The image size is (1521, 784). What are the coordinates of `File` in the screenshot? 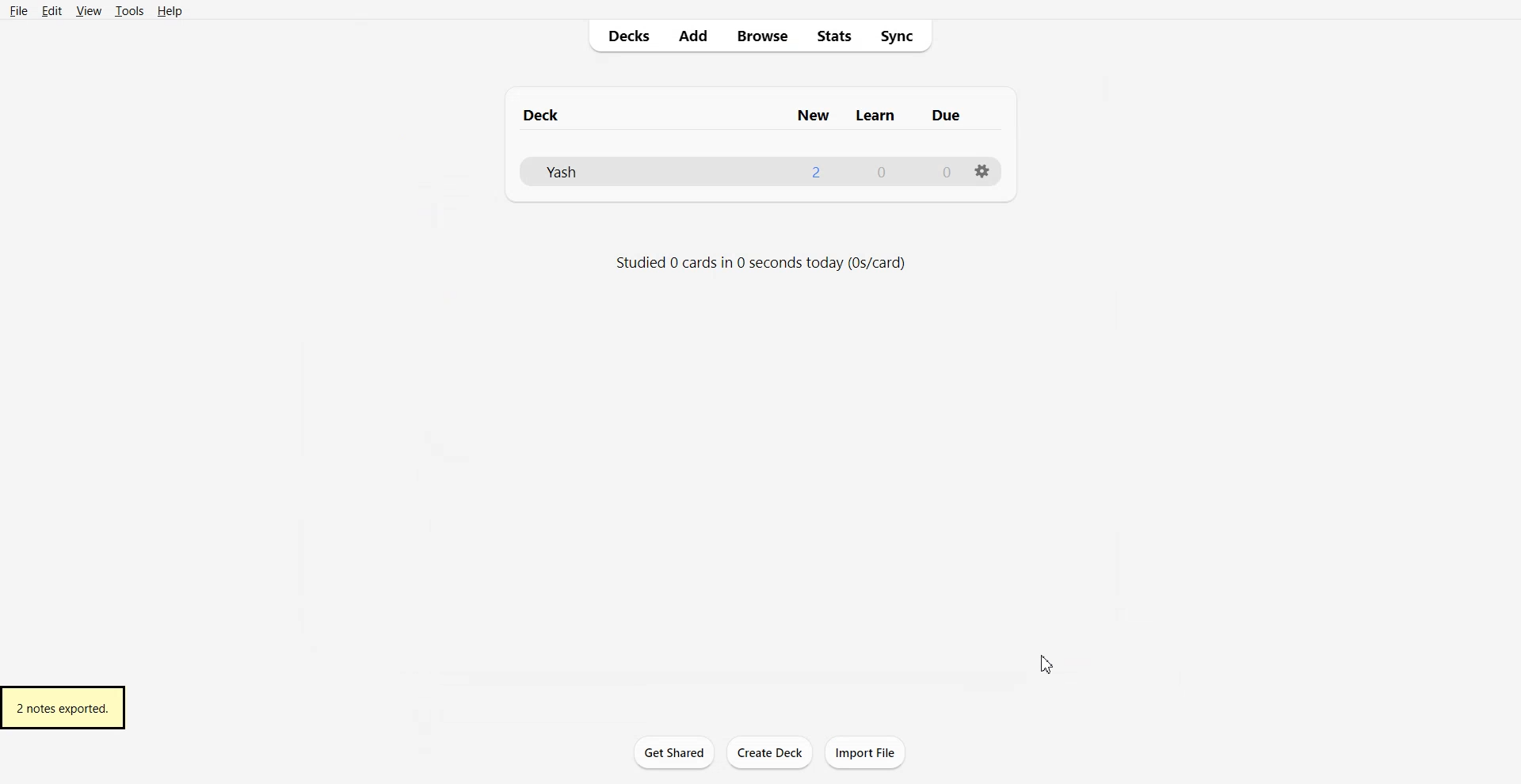 It's located at (19, 10).